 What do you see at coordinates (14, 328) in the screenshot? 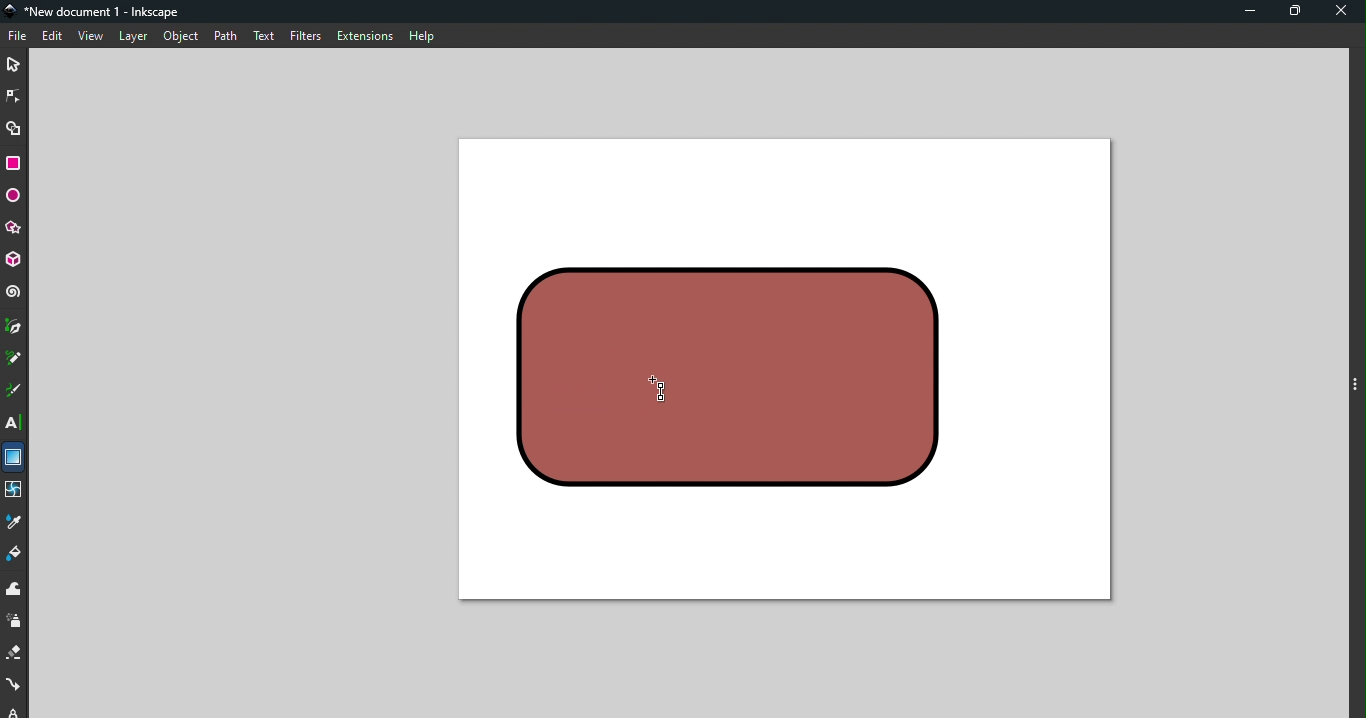
I see `Pen tool` at bounding box center [14, 328].